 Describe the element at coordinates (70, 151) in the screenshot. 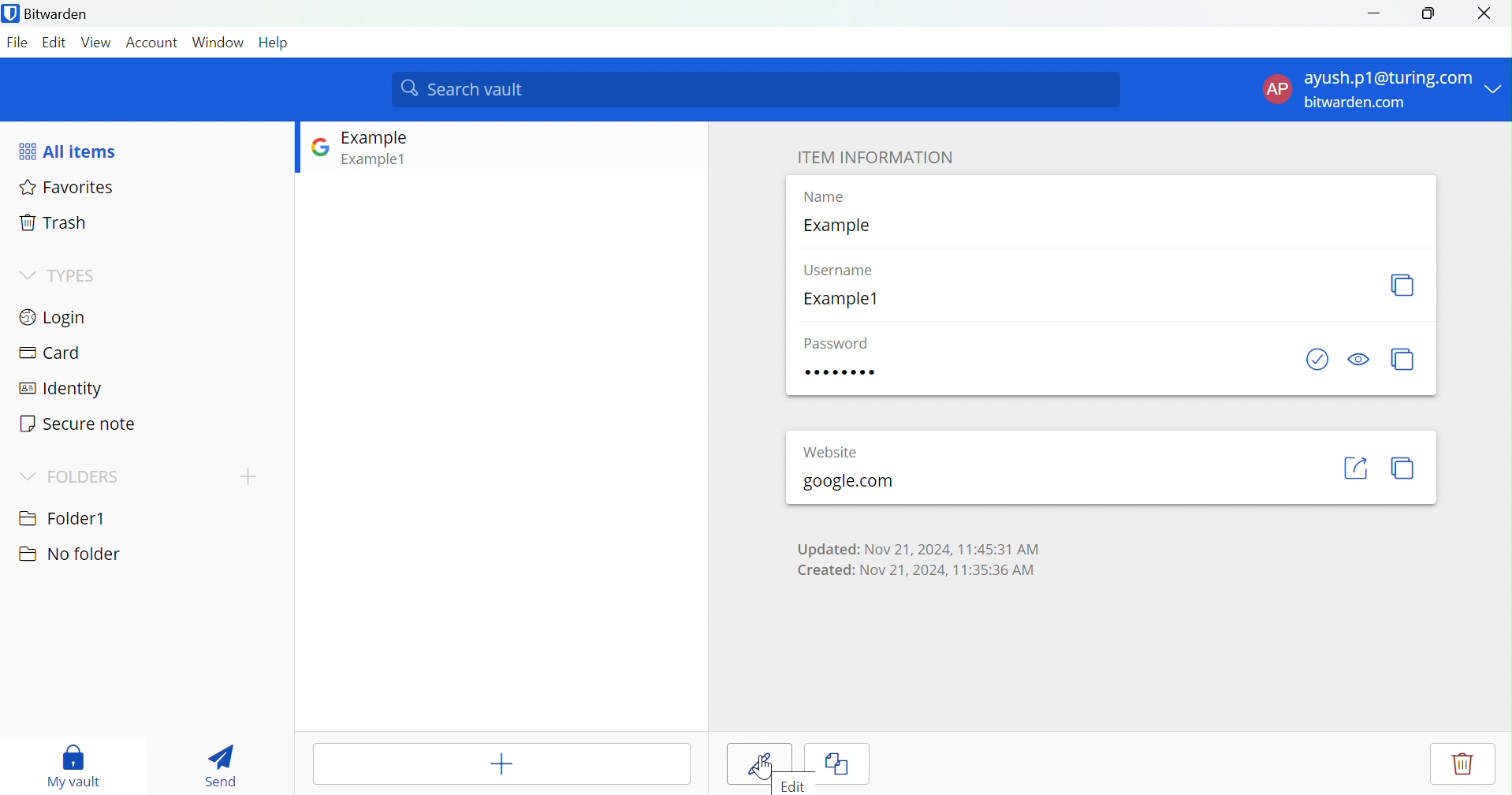

I see `All items` at that location.